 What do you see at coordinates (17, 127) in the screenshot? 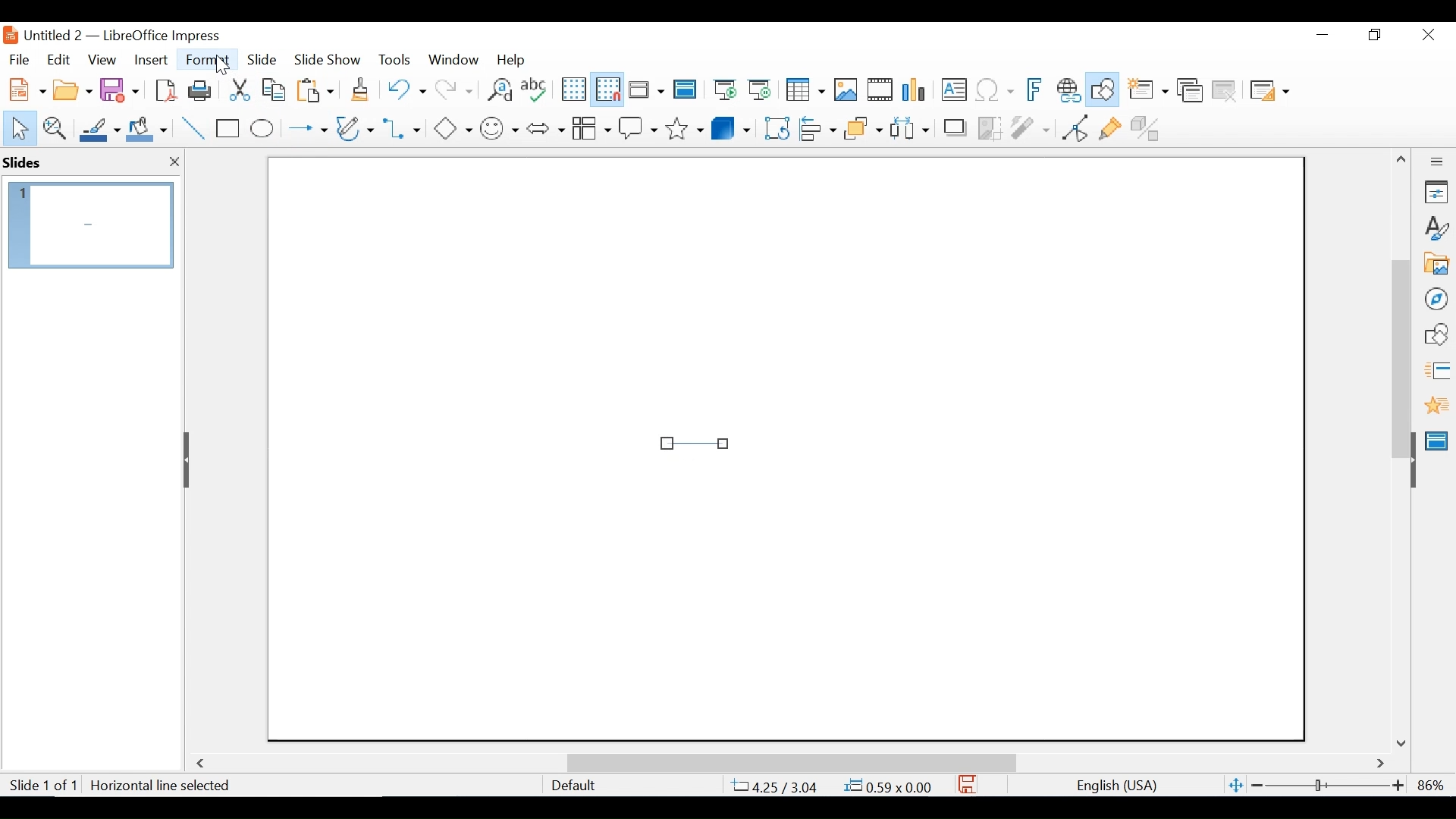
I see `Select` at bounding box center [17, 127].